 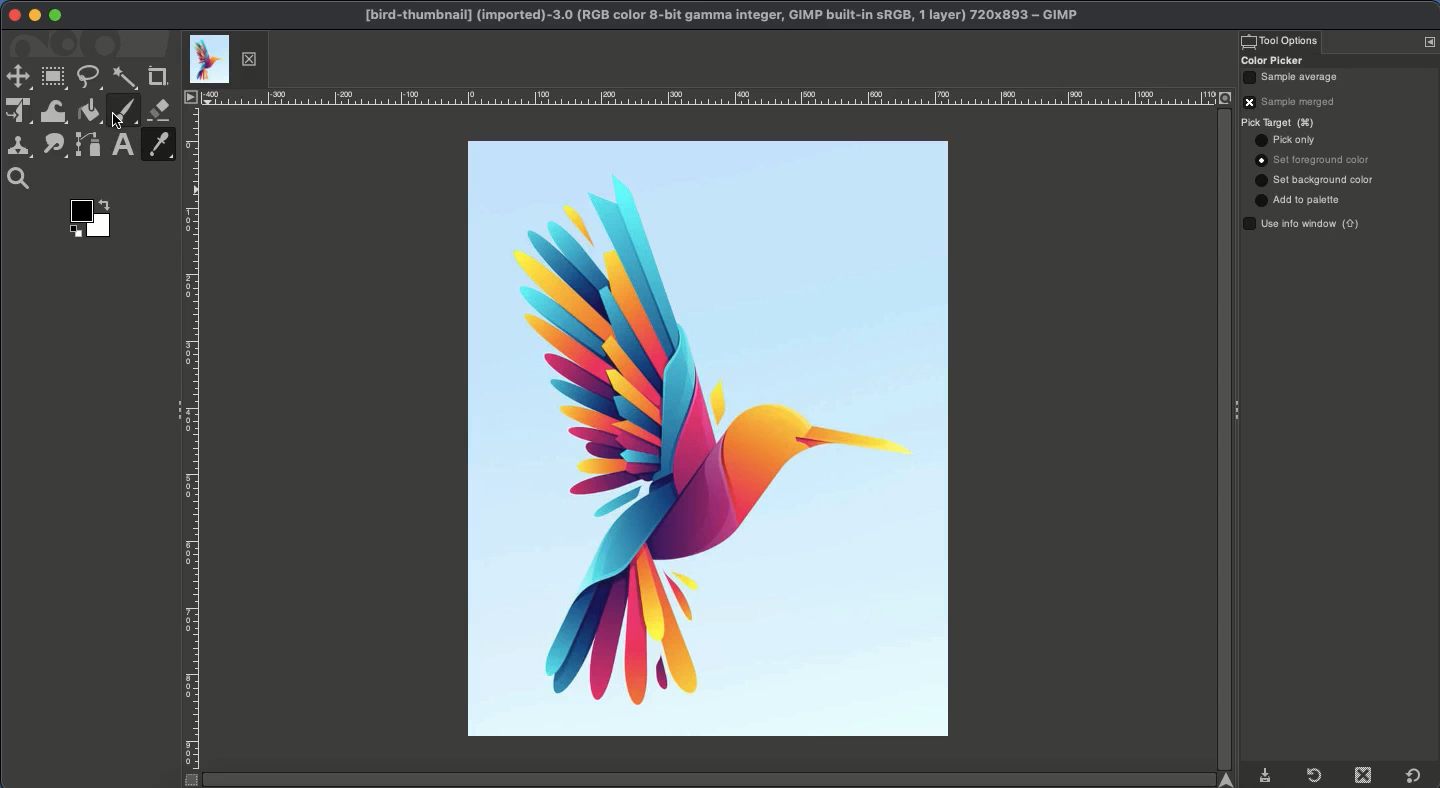 I want to click on Path, so click(x=89, y=146).